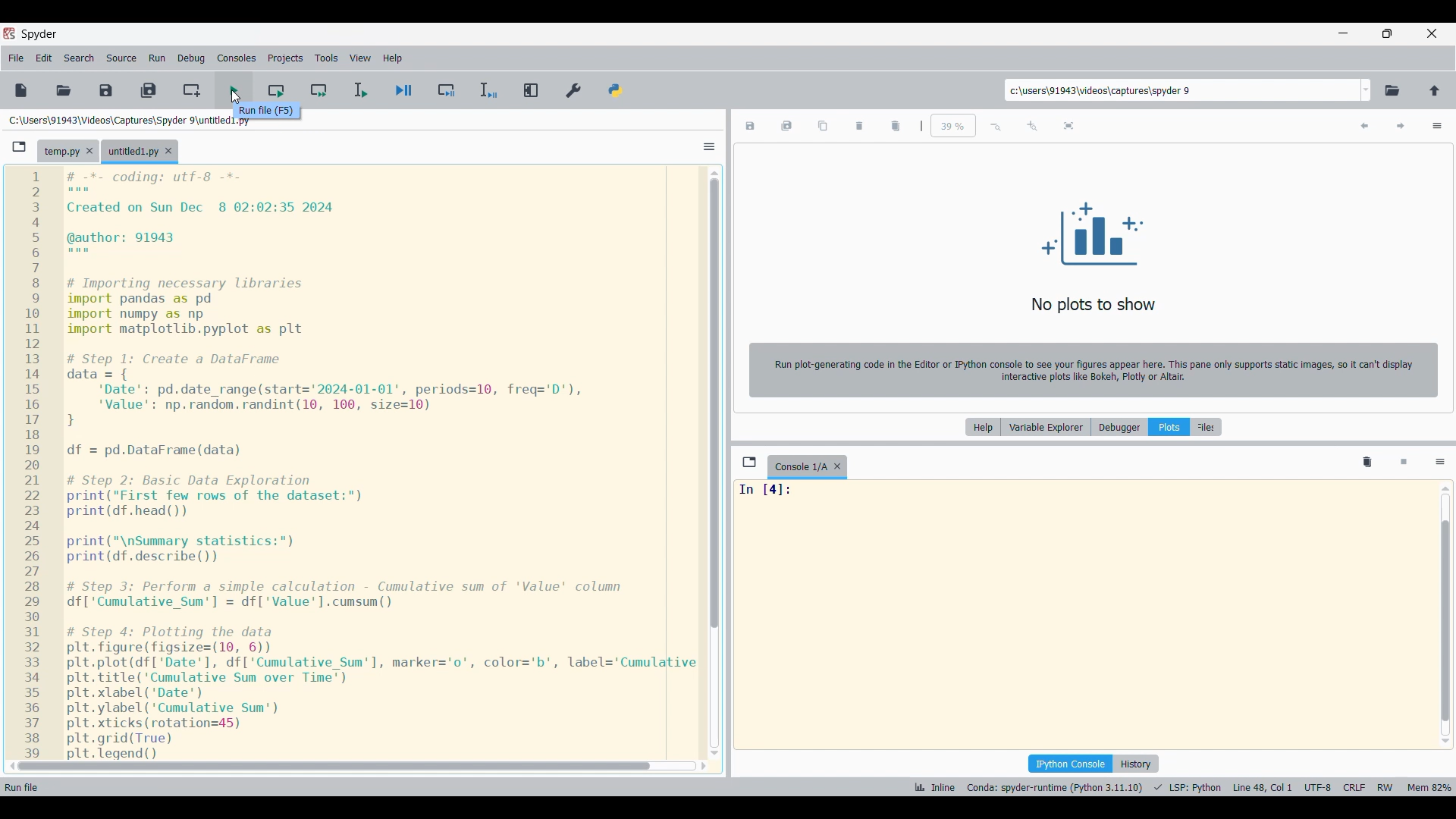  I want to click on Current tab, so click(58, 149).